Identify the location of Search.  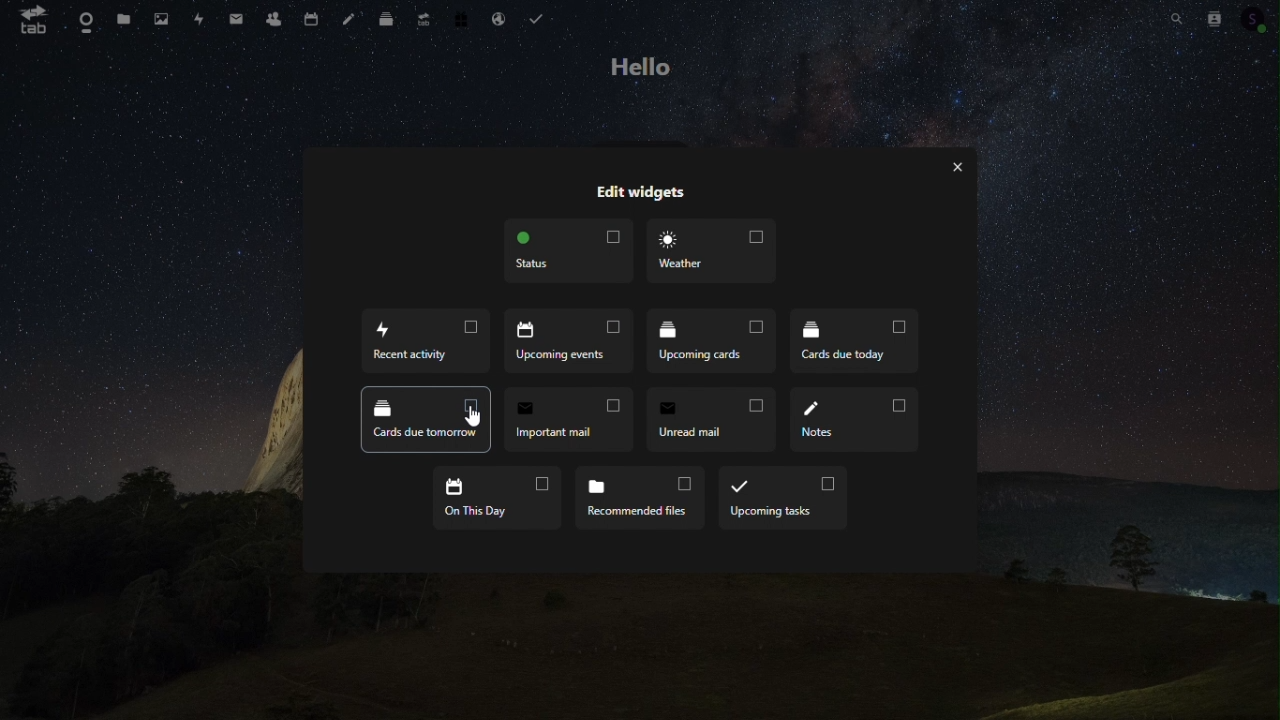
(1170, 17).